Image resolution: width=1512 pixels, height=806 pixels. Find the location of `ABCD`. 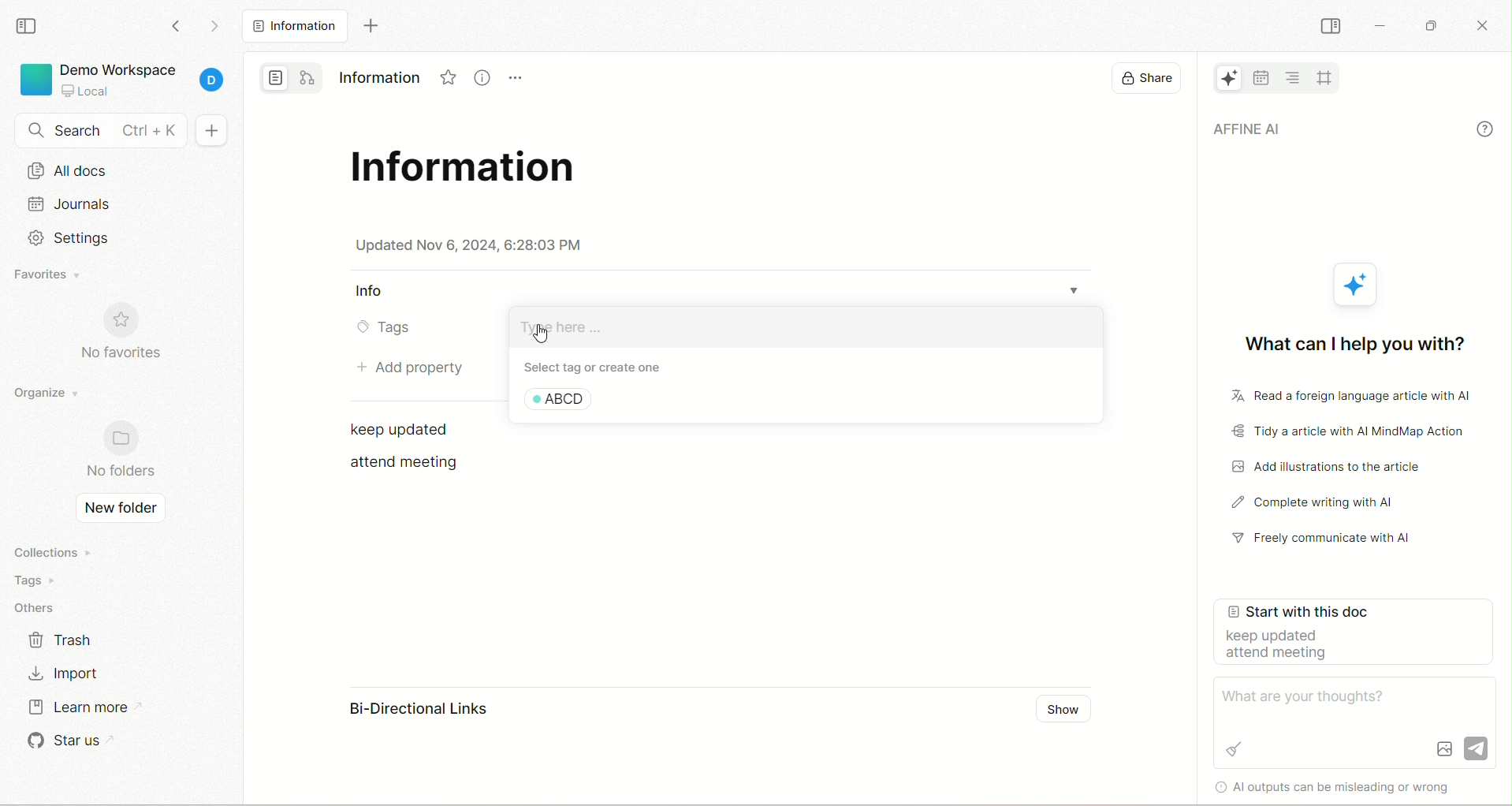

ABCD is located at coordinates (563, 397).